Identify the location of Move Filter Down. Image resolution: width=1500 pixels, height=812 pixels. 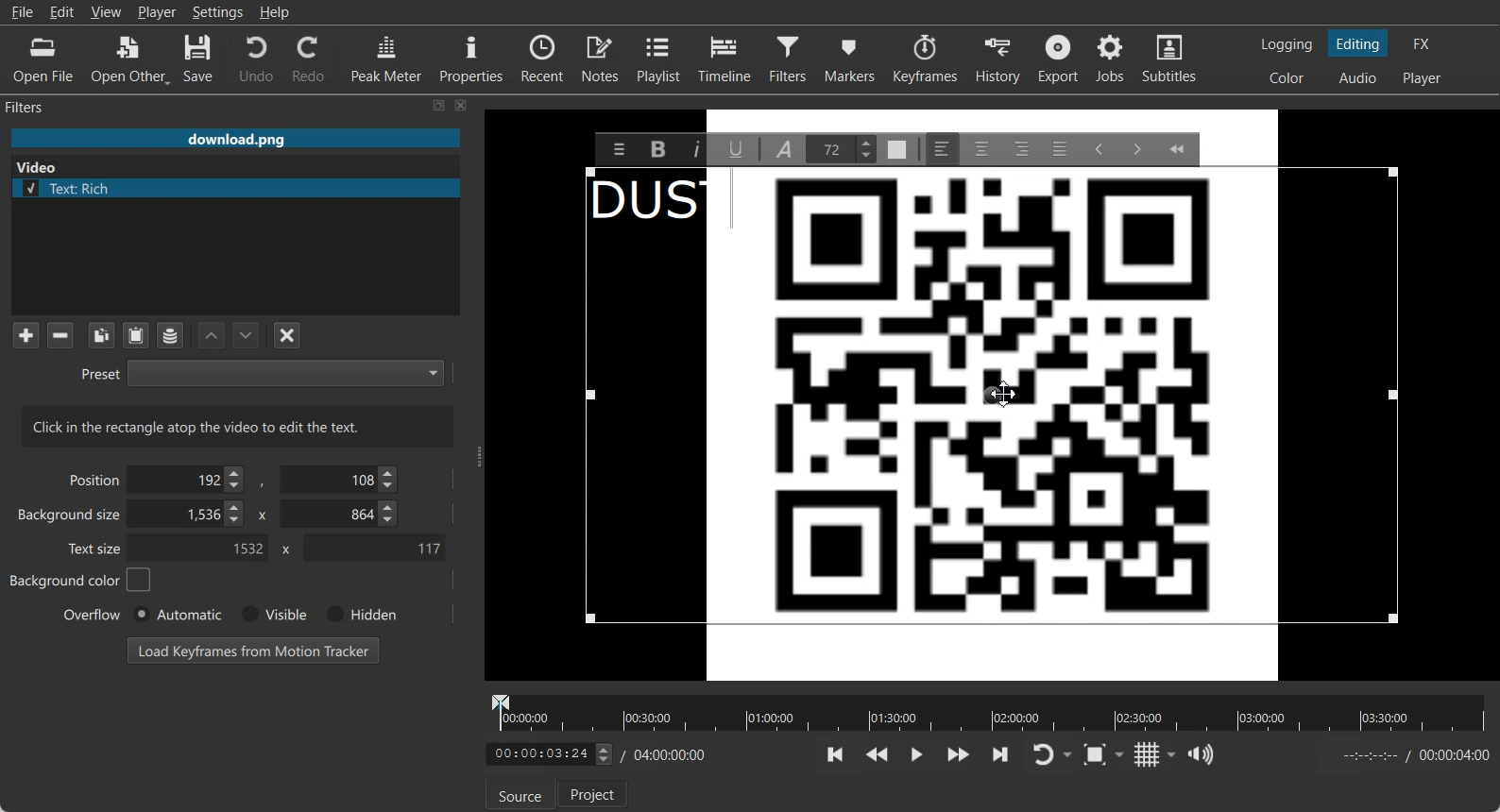
(247, 335).